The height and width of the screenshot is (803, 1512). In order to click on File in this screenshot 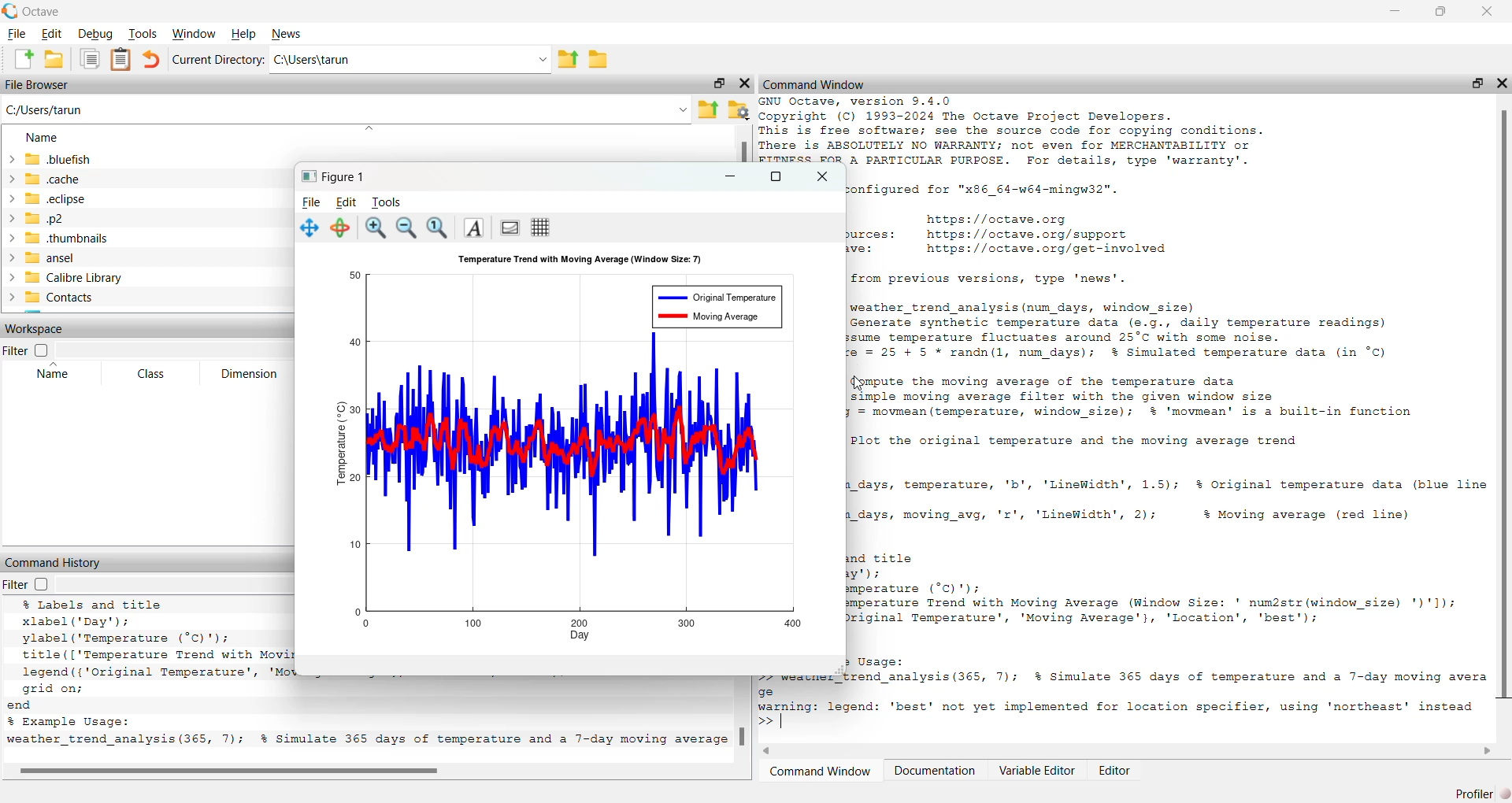, I will do `click(308, 202)`.